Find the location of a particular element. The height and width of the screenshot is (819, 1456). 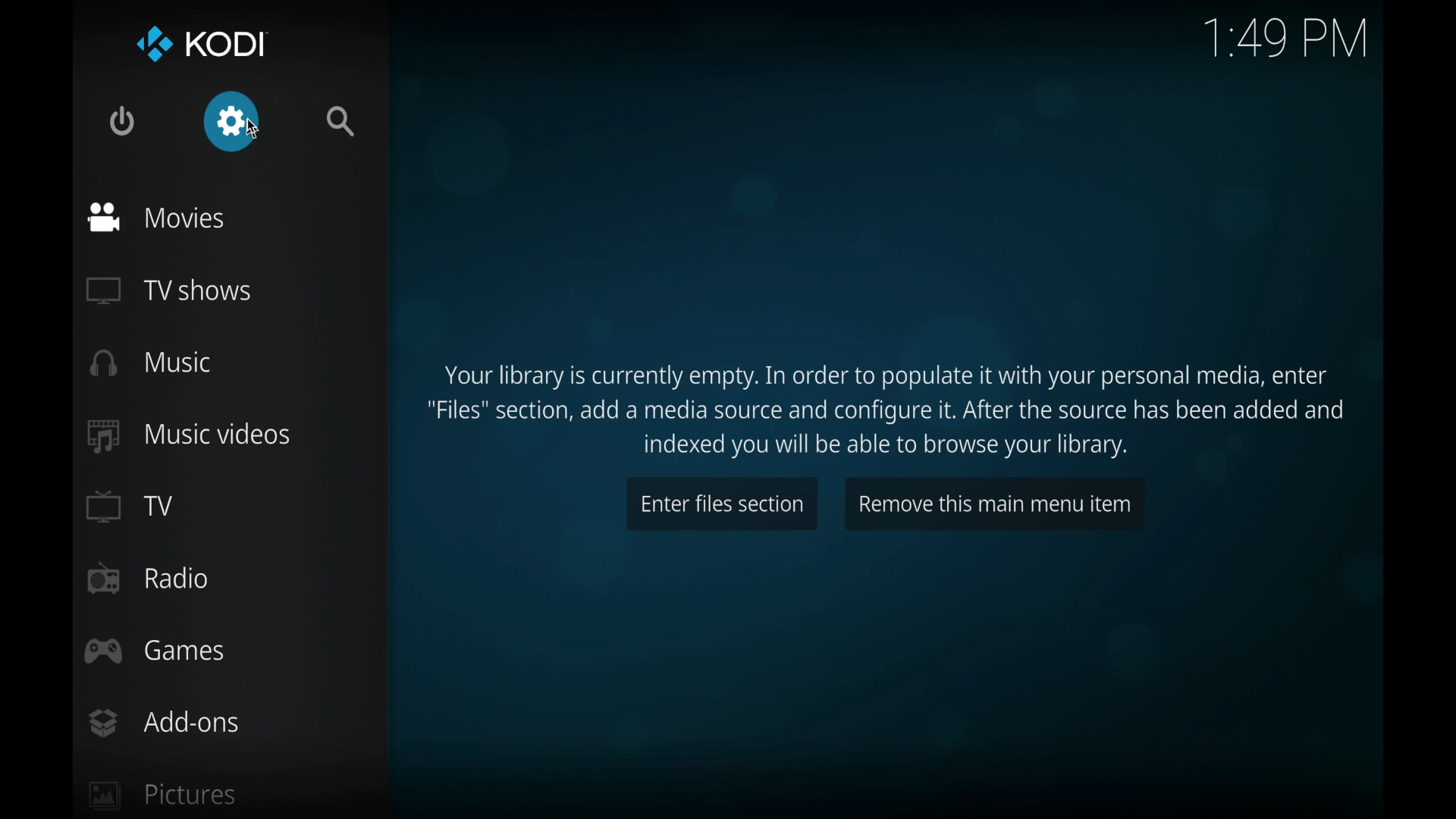

time is located at coordinates (1285, 37).